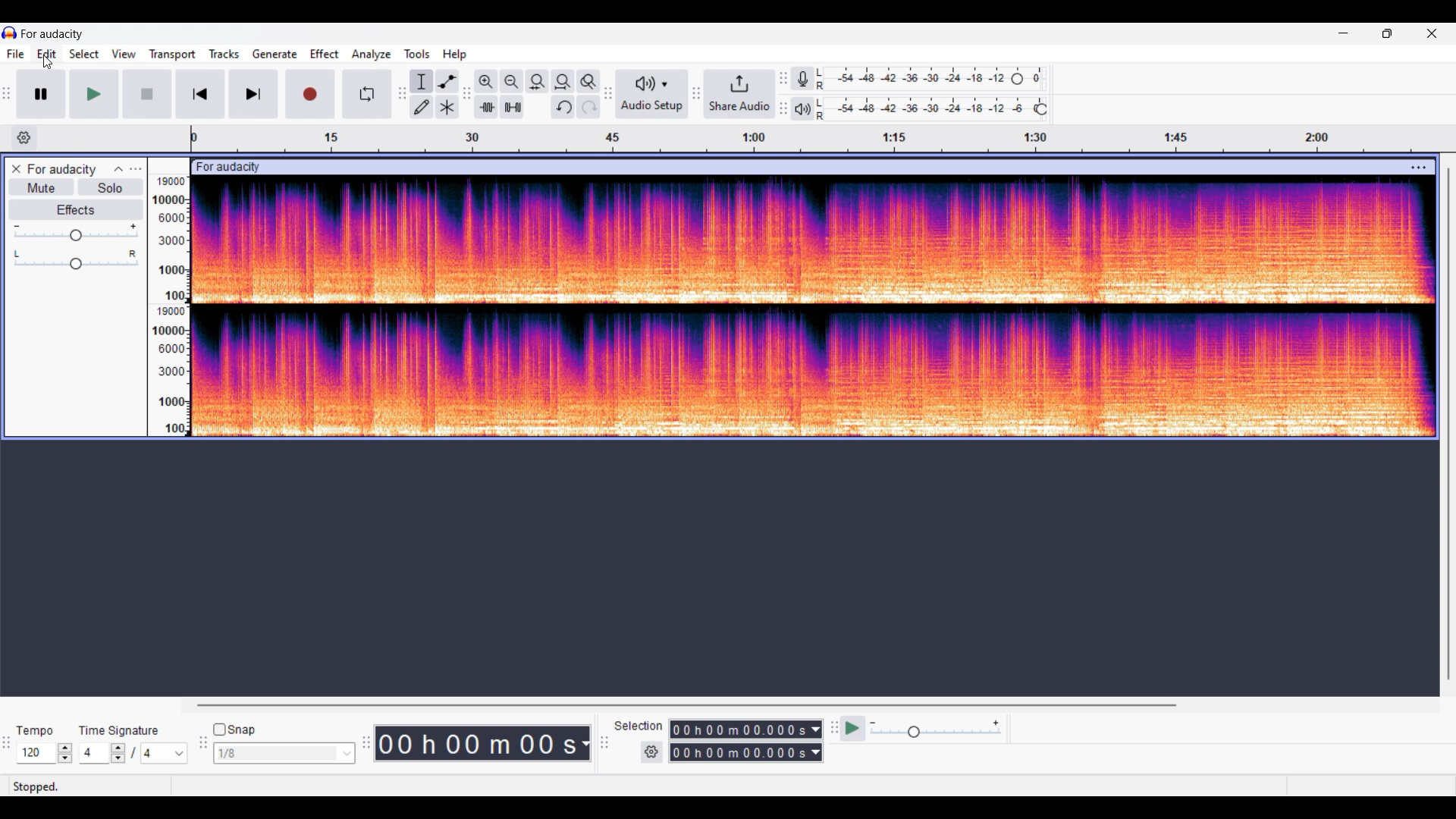 The width and height of the screenshot is (1456, 819). Describe the element at coordinates (417, 54) in the screenshot. I see `Tools menu` at that location.